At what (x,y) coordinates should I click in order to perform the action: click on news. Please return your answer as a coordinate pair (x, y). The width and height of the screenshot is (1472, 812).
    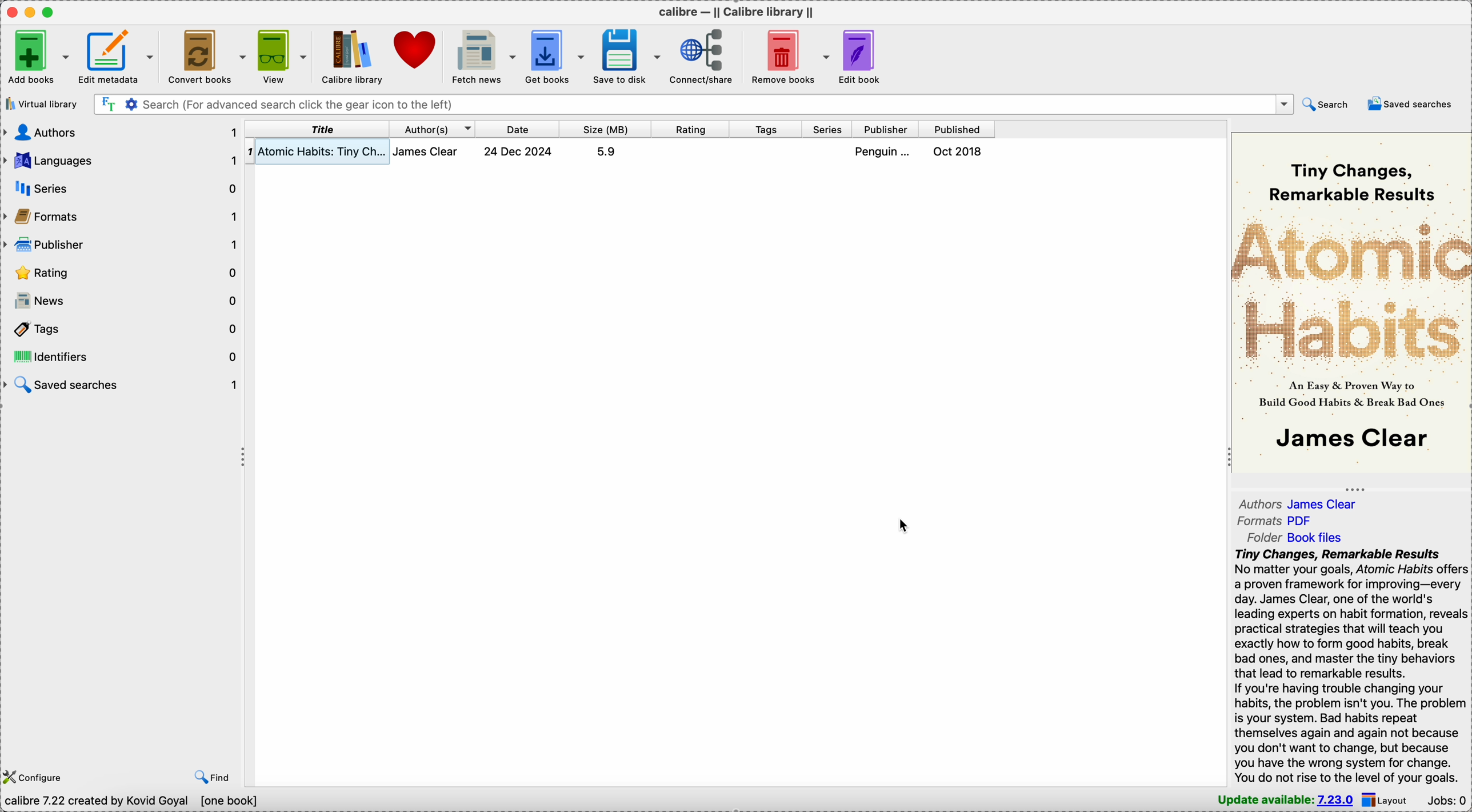
    Looking at the image, I should click on (122, 301).